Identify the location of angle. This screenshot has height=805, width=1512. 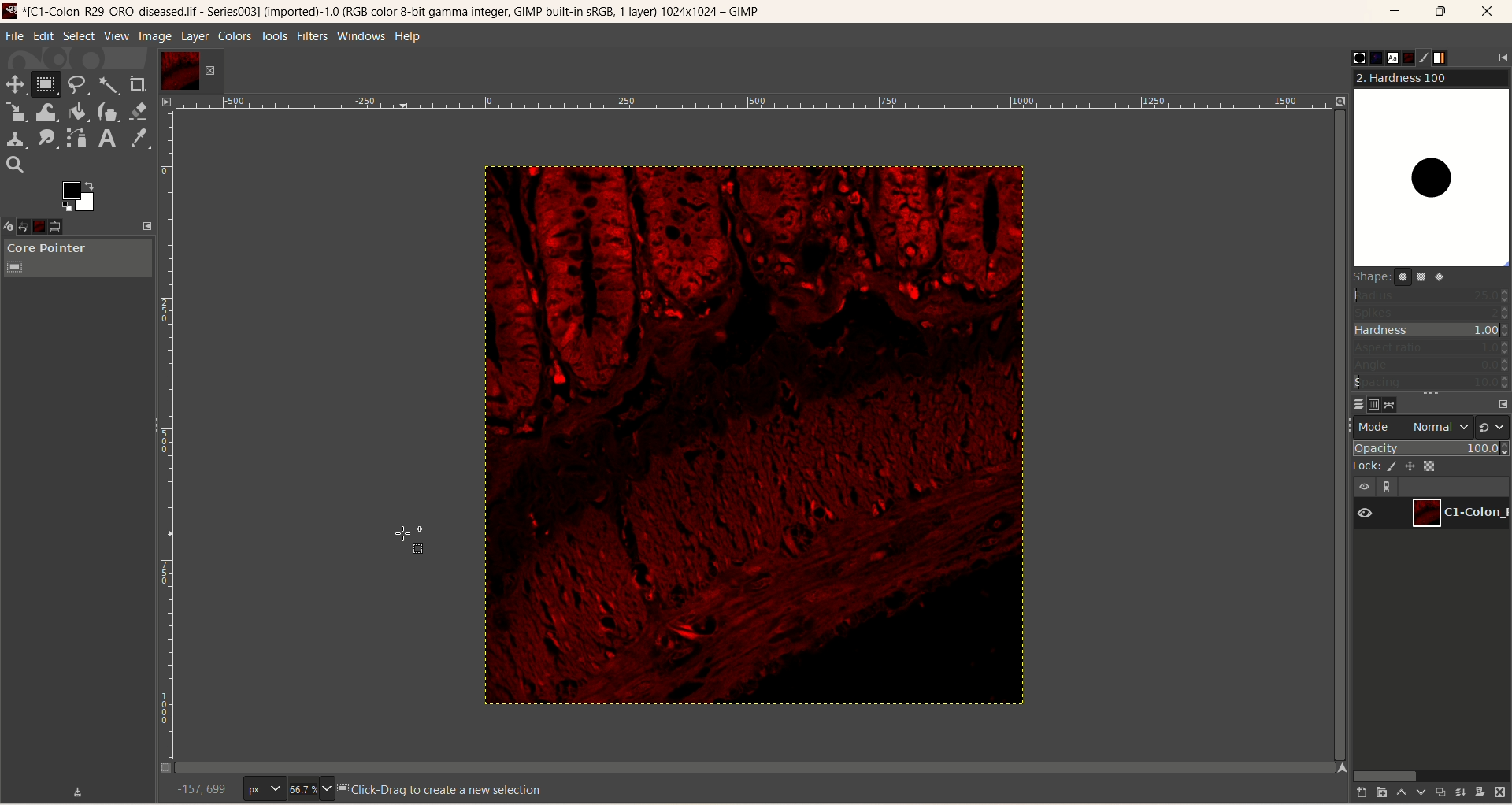
(1432, 365).